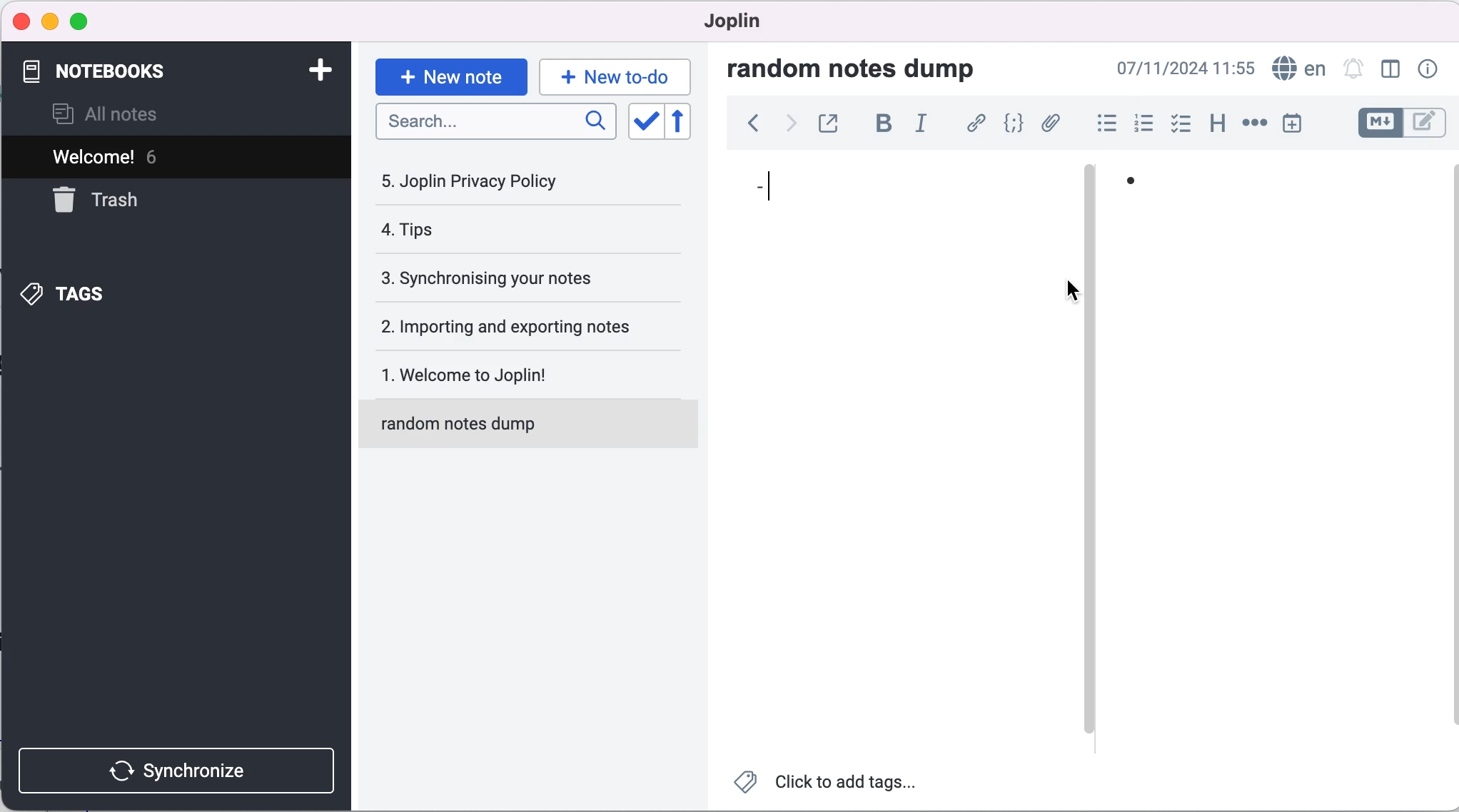  I want to click on bold, so click(879, 126).